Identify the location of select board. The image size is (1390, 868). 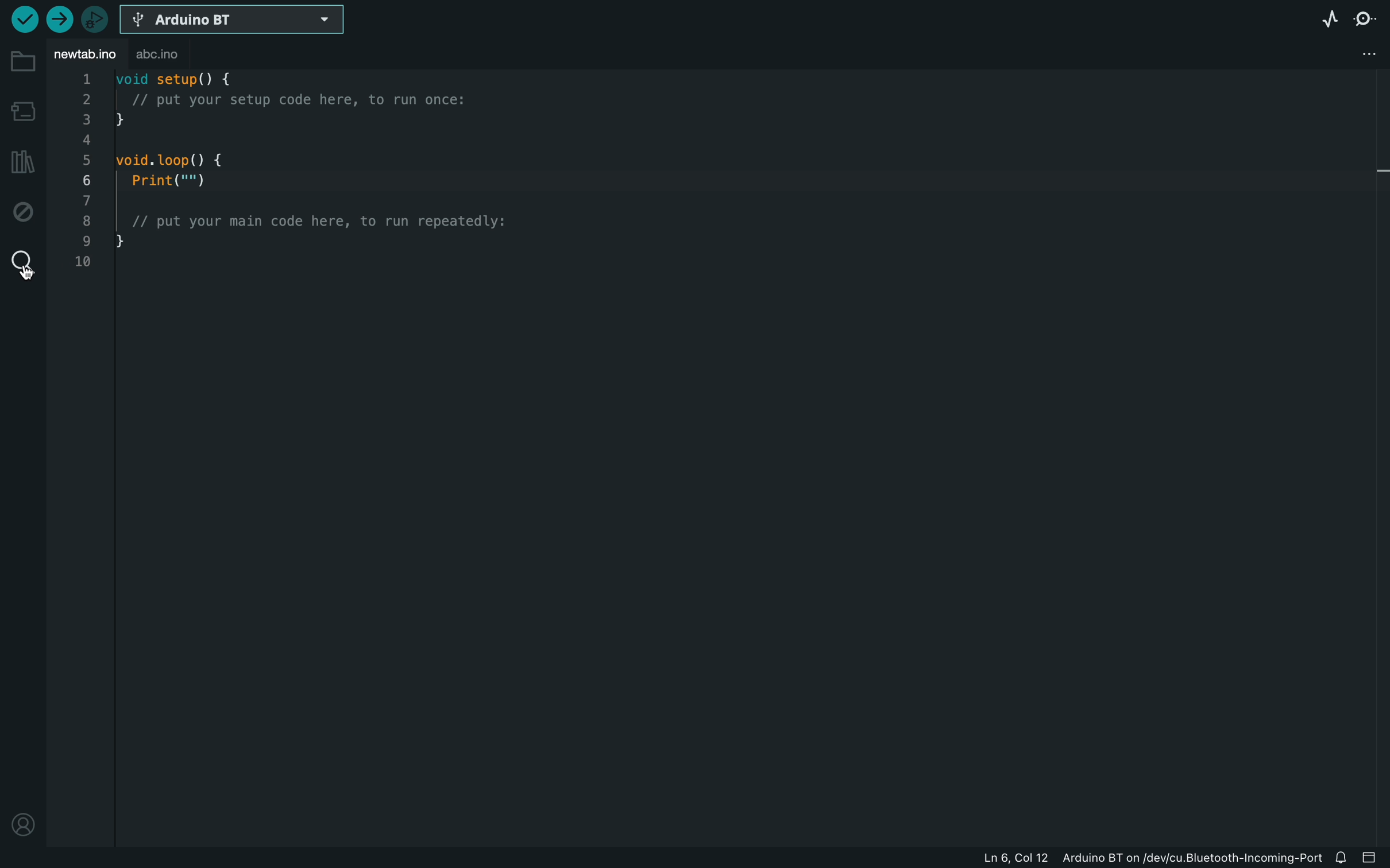
(232, 21).